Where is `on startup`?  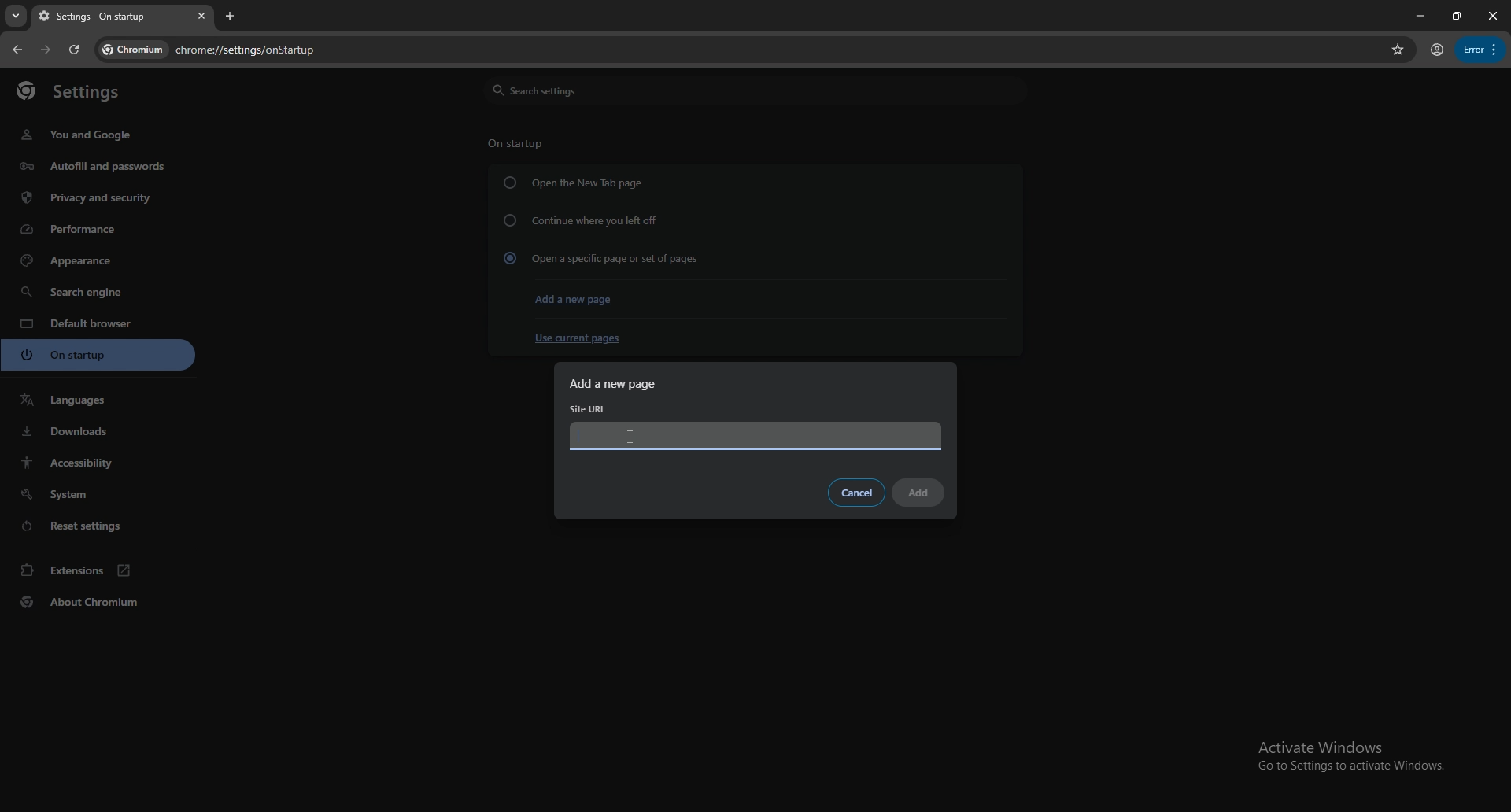
on startup is located at coordinates (100, 354).